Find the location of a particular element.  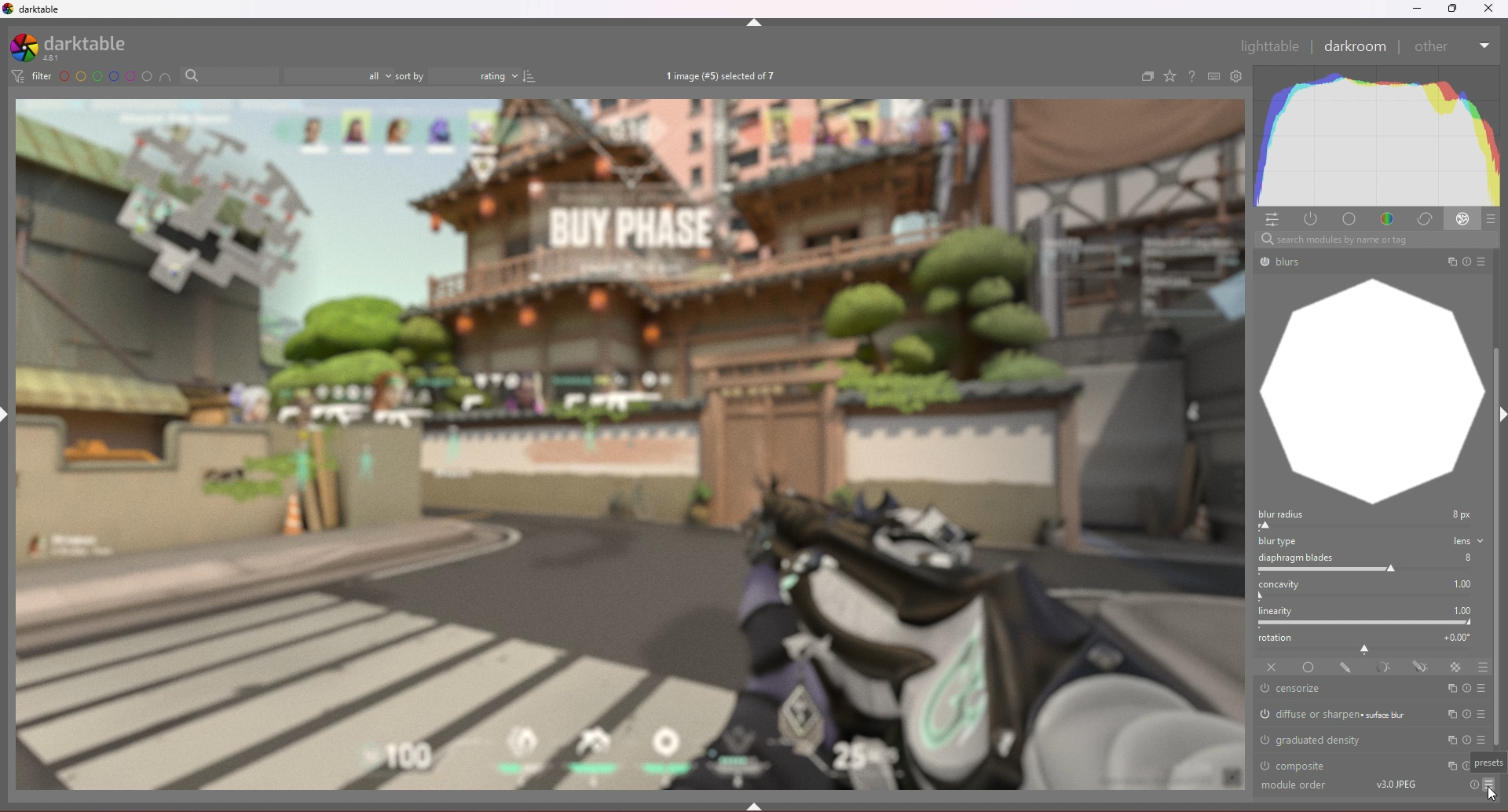

graduated density is located at coordinates (1314, 739).